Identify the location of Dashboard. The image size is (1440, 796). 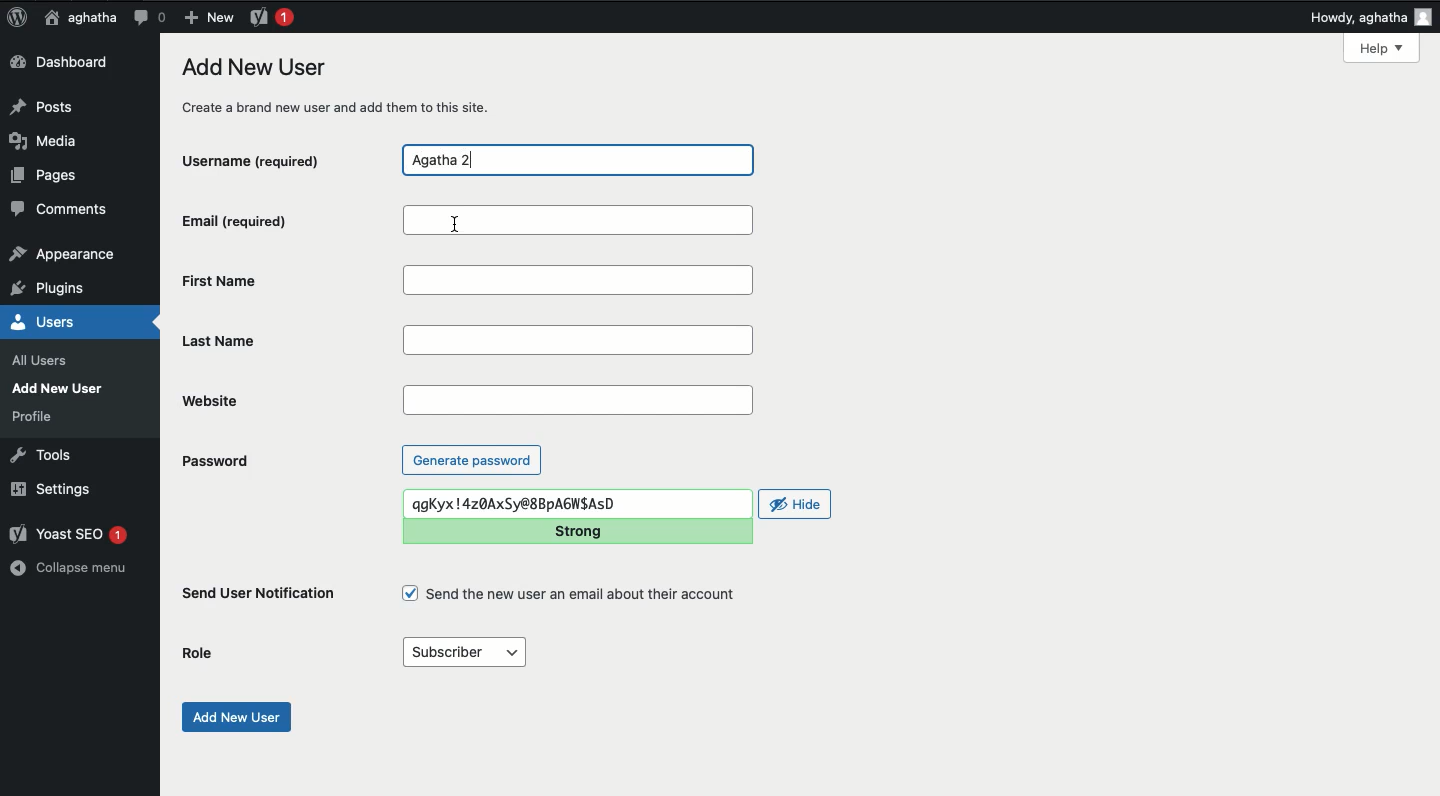
(65, 63).